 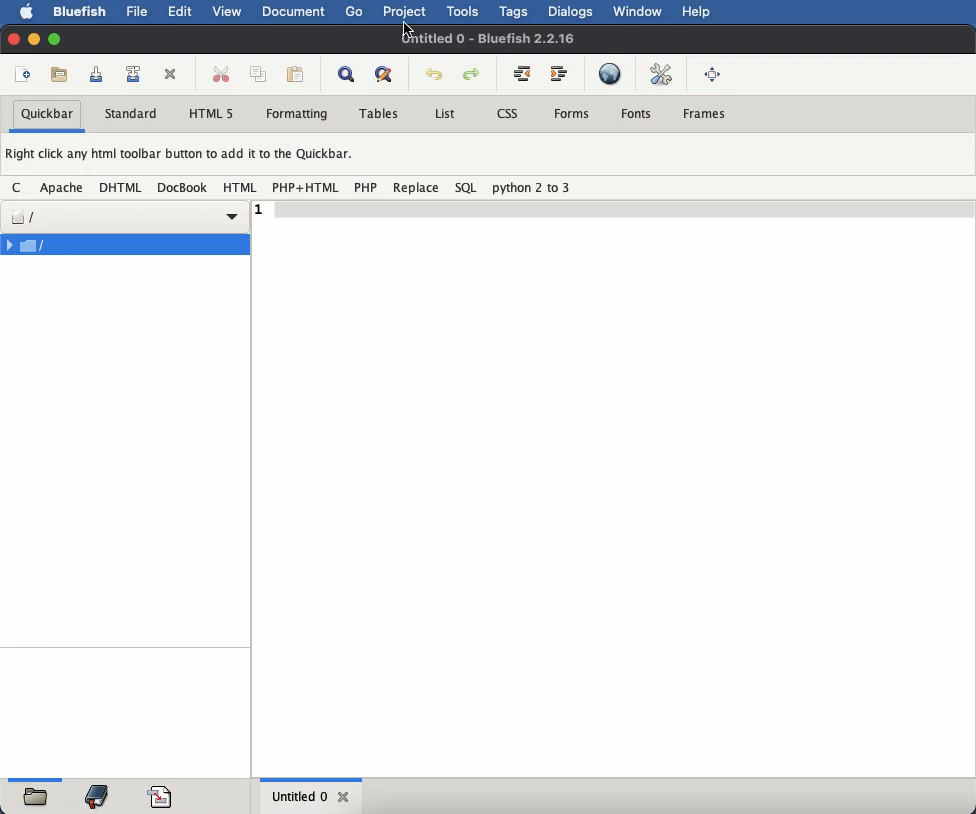 What do you see at coordinates (20, 188) in the screenshot?
I see `c` at bounding box center [20, 188].